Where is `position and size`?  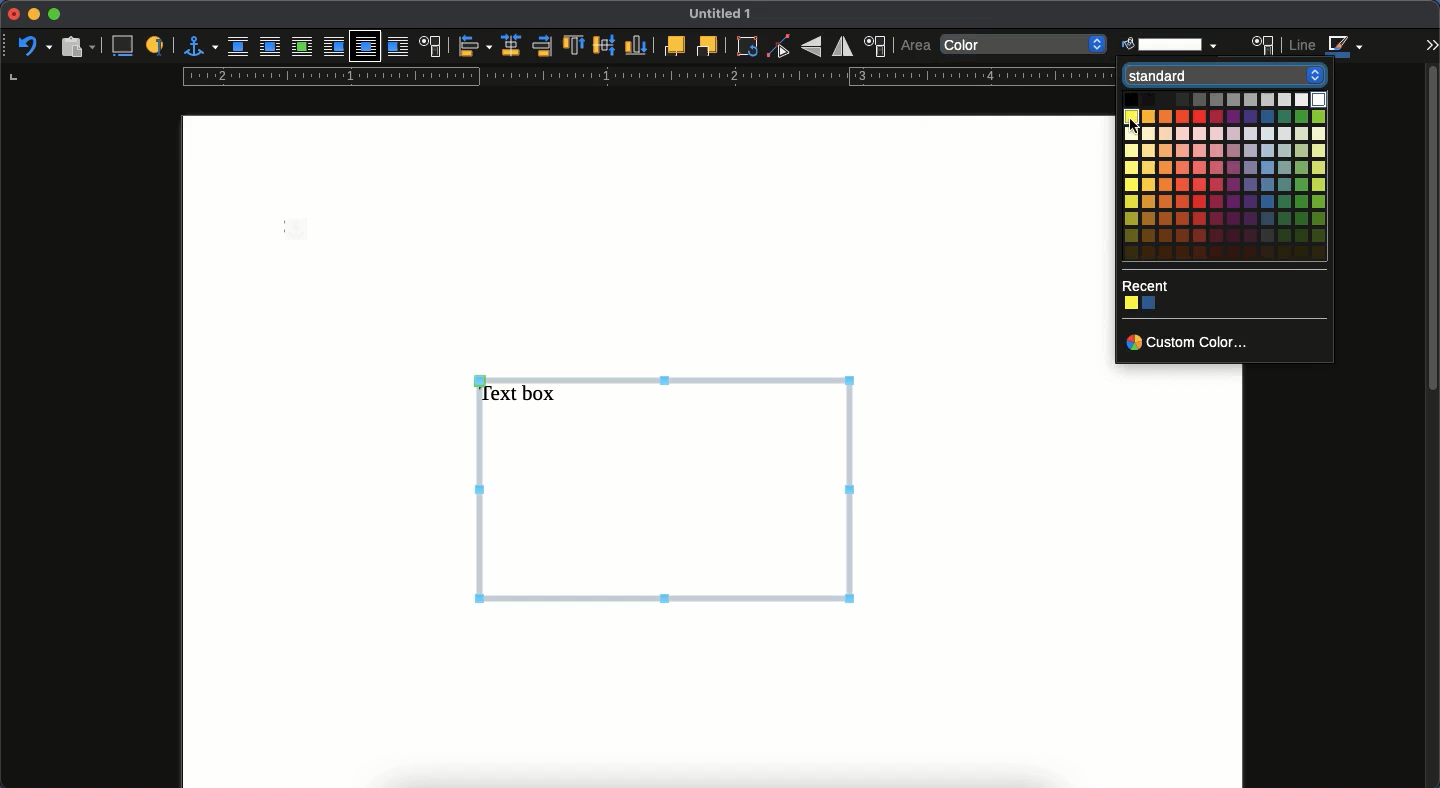
position and size is located at coordinates (877, 46).